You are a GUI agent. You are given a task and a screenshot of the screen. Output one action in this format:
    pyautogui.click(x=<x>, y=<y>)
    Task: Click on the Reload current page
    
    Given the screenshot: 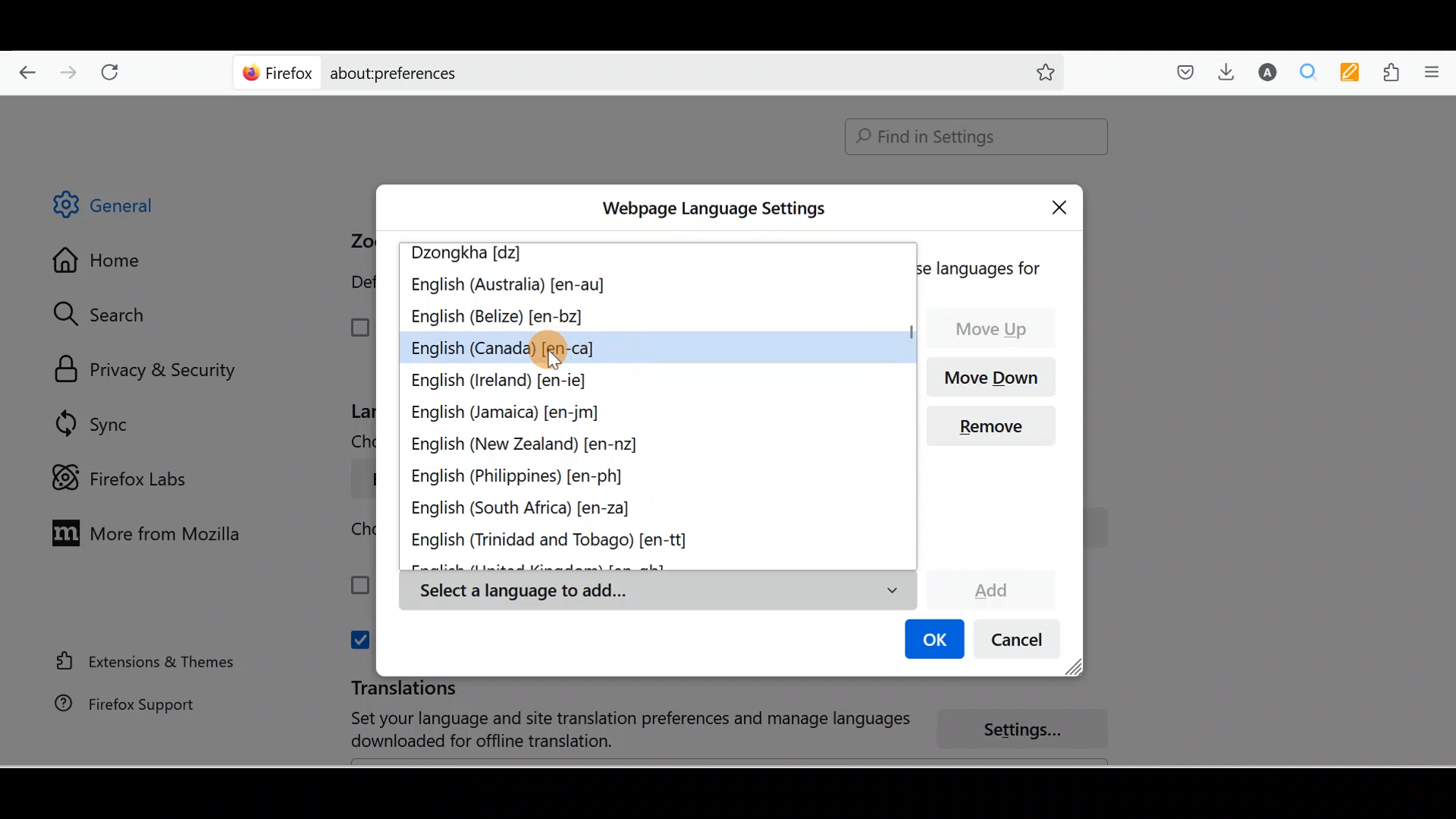 What is the action you would take?
    pyautogui.click(x=115, y=69)
    